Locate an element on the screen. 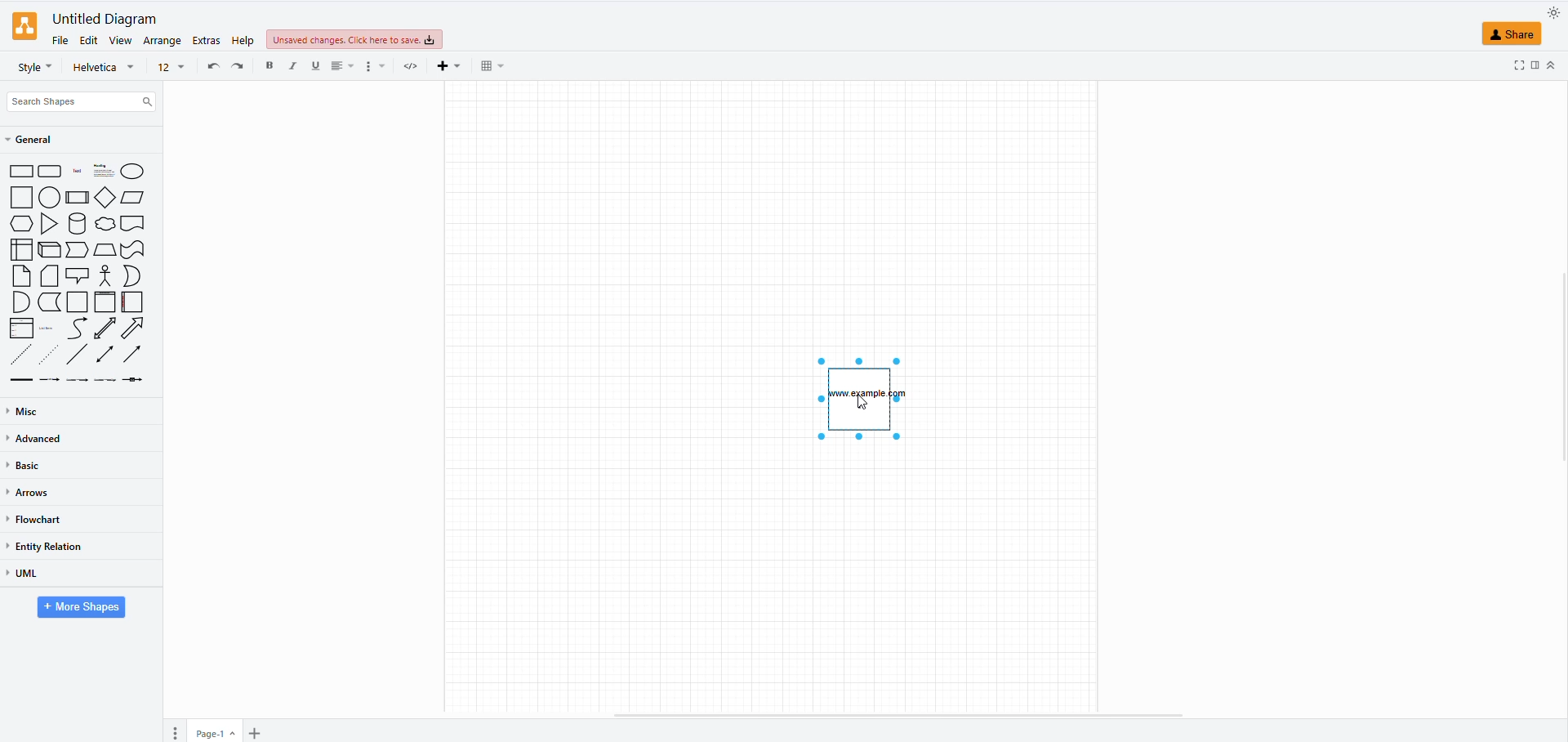 The image size is (1568, 742). basic is located at coordinates (31, 467).